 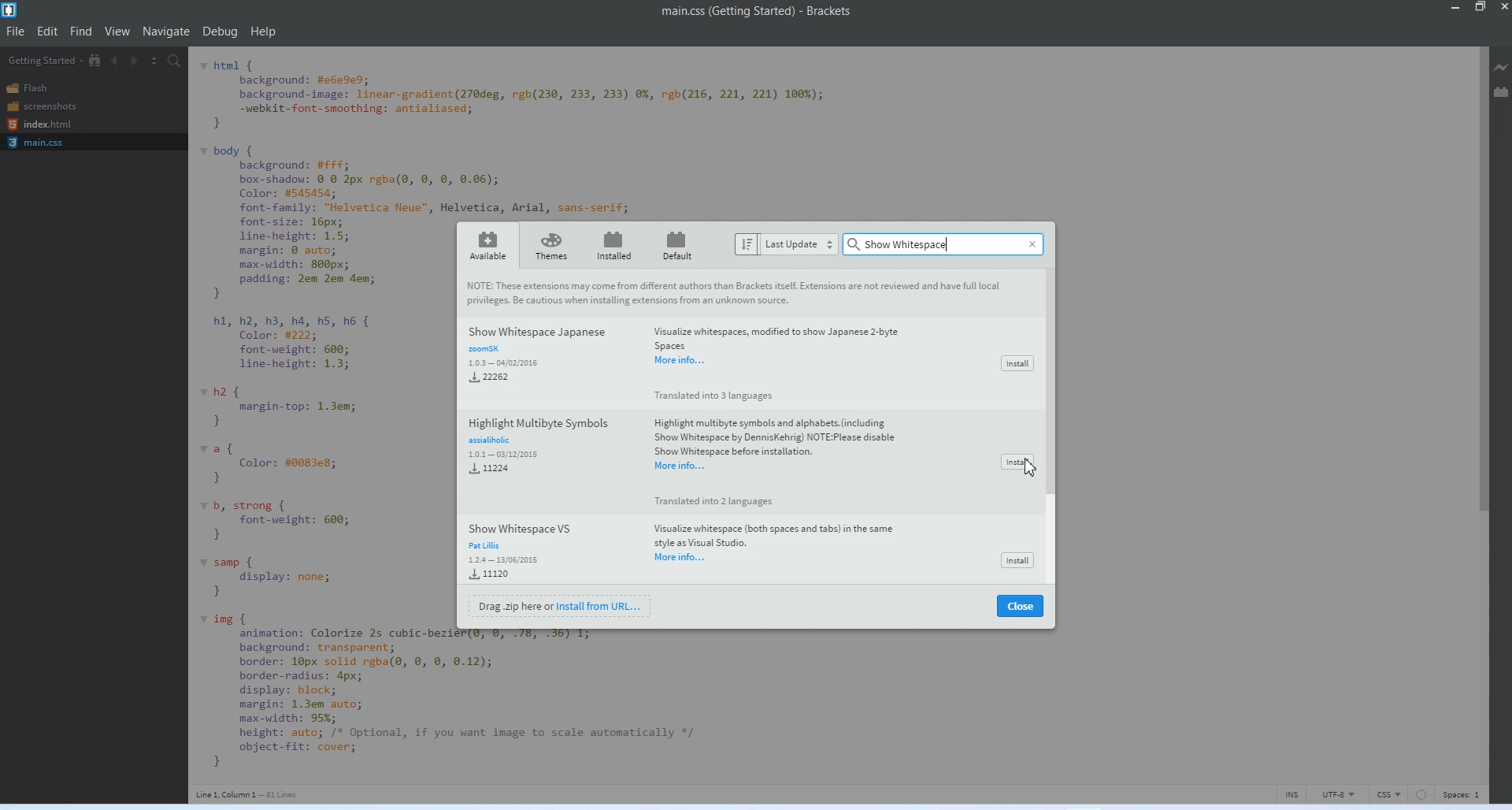 What do you see at coordinates (751, 14) in the screenshot?
I see `Text 1` at bounding box center [751, 14].